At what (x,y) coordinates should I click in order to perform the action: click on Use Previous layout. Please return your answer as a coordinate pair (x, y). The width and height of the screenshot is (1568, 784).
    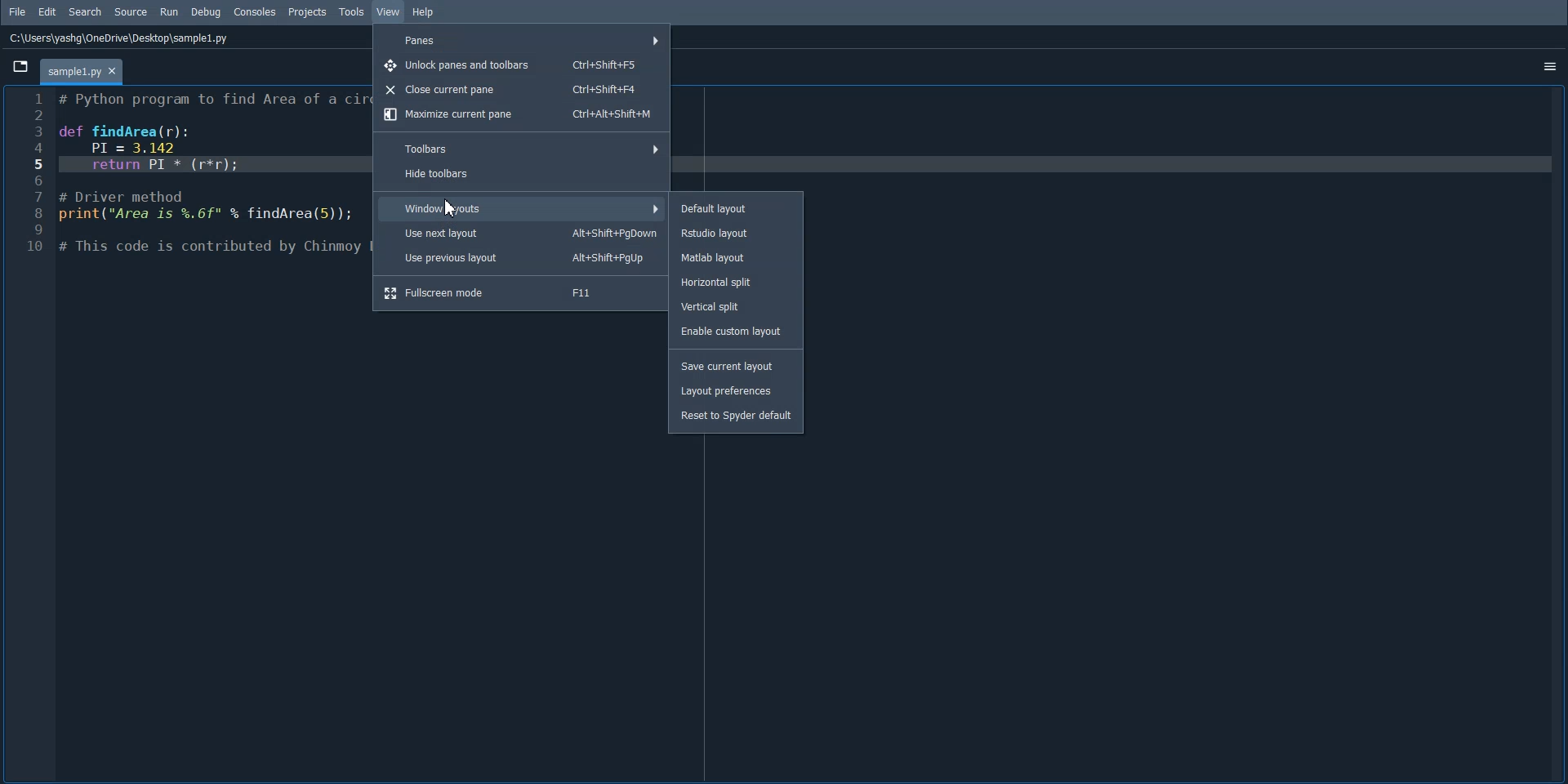
    Looking at the image, I should click on (519, 258).